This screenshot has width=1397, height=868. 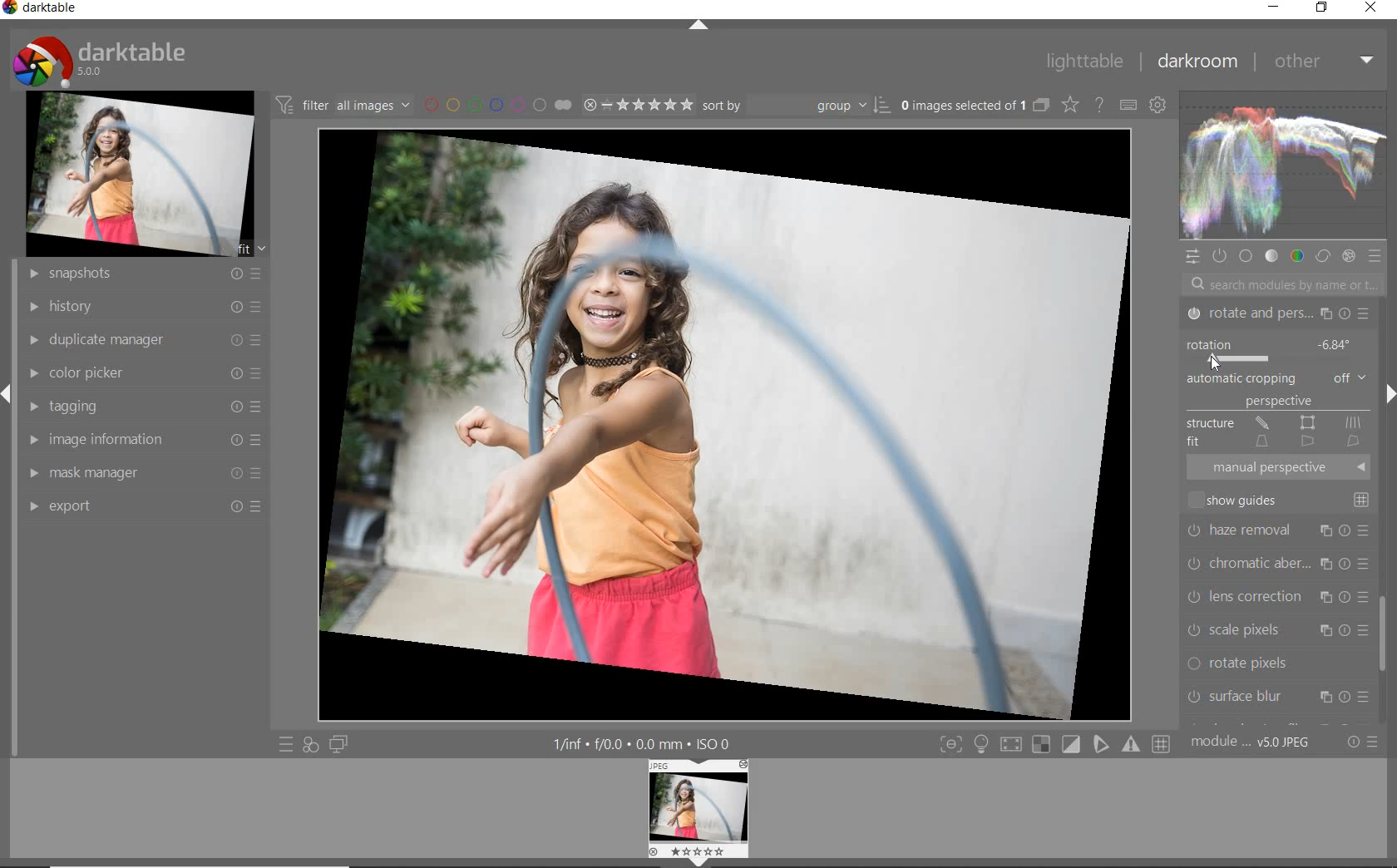 What do you see at coordinates (1324, 7) in the screenshot?
I see `restore` at bounding box center [1324, 7].